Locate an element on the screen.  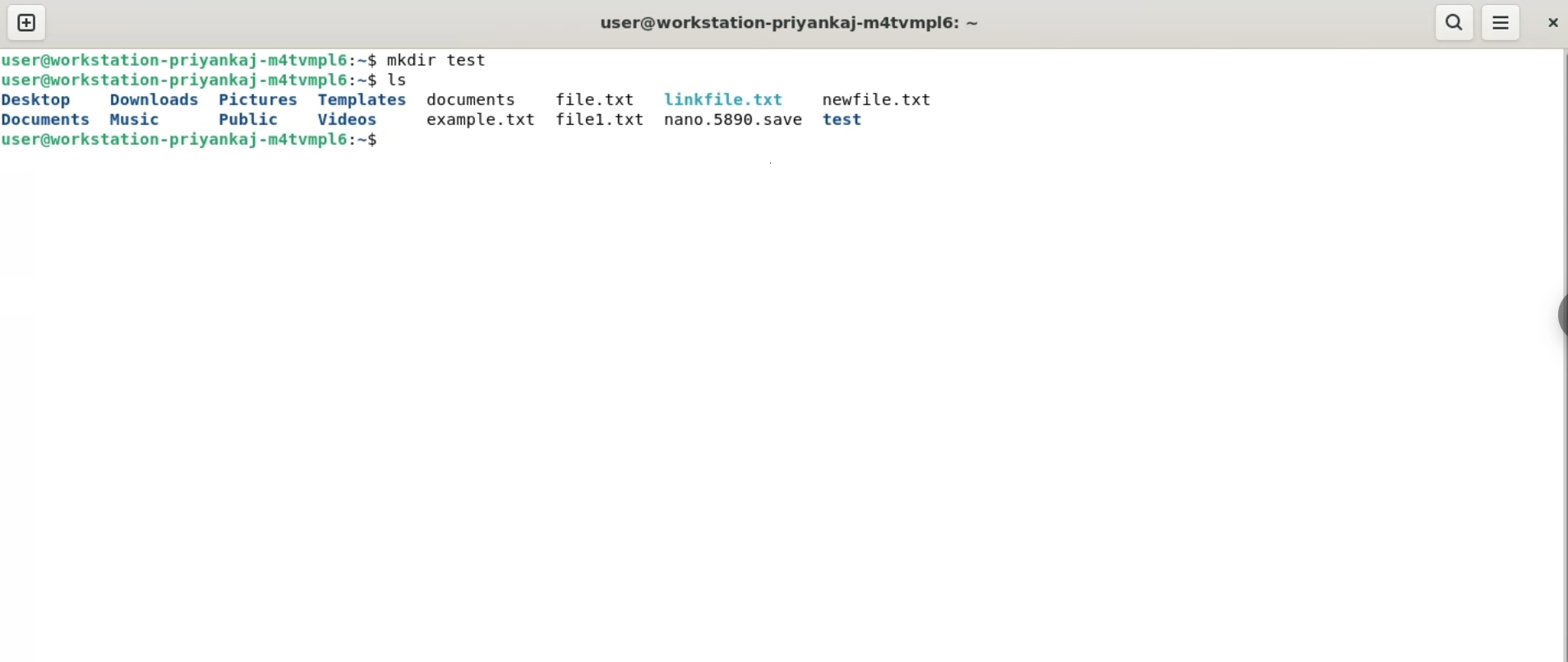
test is located at coordinates (846, 120).